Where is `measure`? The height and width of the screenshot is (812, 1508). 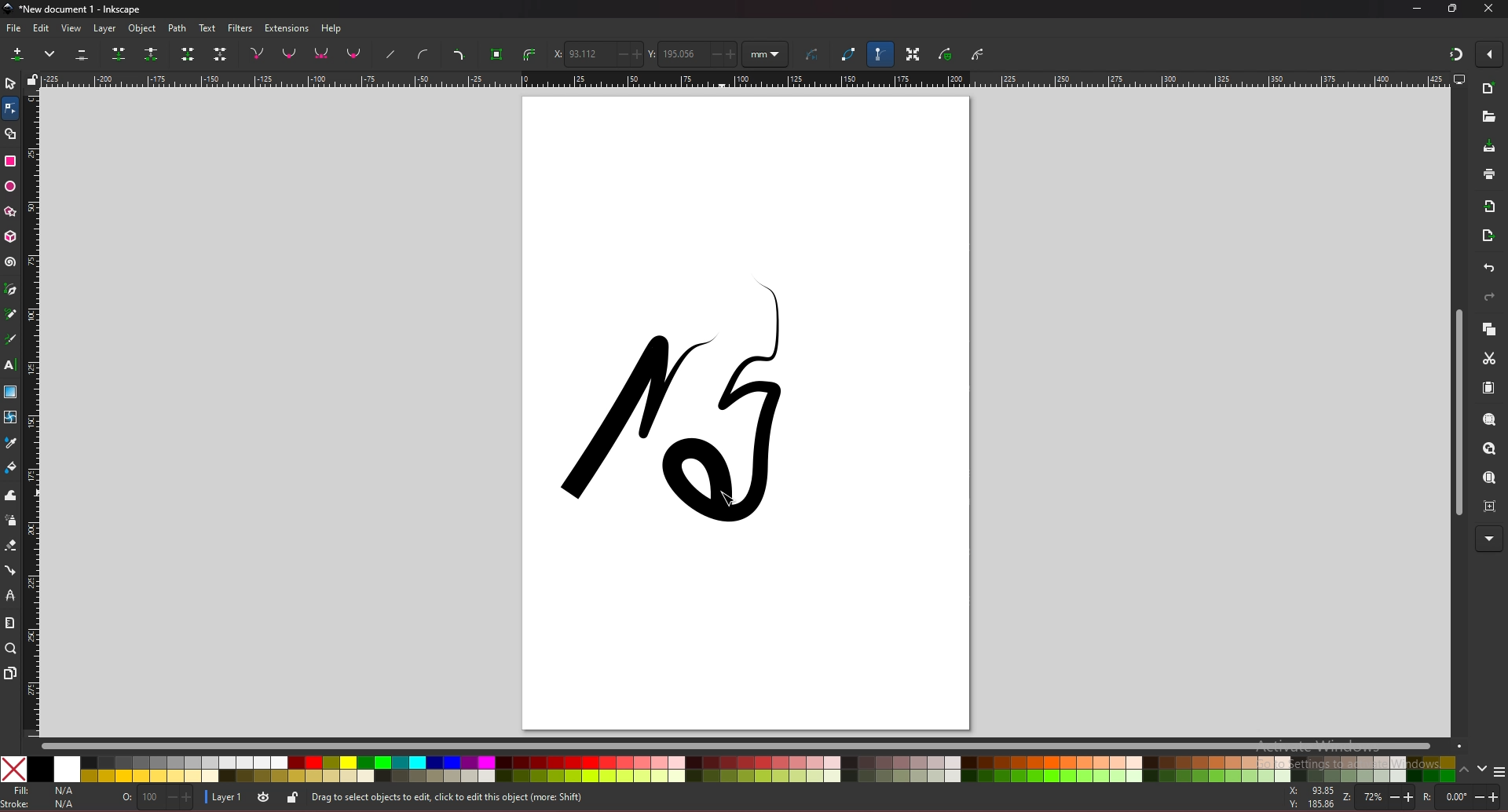
measure is located at coordinates (10, 621).